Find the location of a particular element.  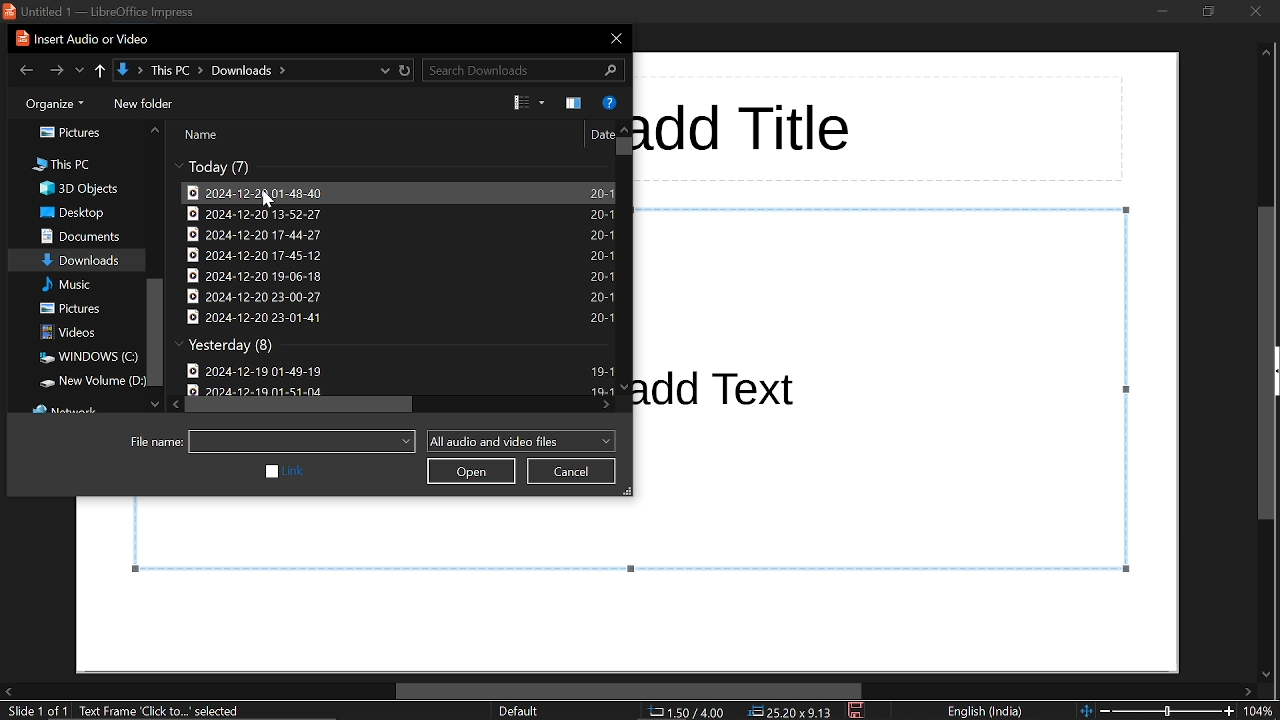

file format is located at coordinates (519, 440).